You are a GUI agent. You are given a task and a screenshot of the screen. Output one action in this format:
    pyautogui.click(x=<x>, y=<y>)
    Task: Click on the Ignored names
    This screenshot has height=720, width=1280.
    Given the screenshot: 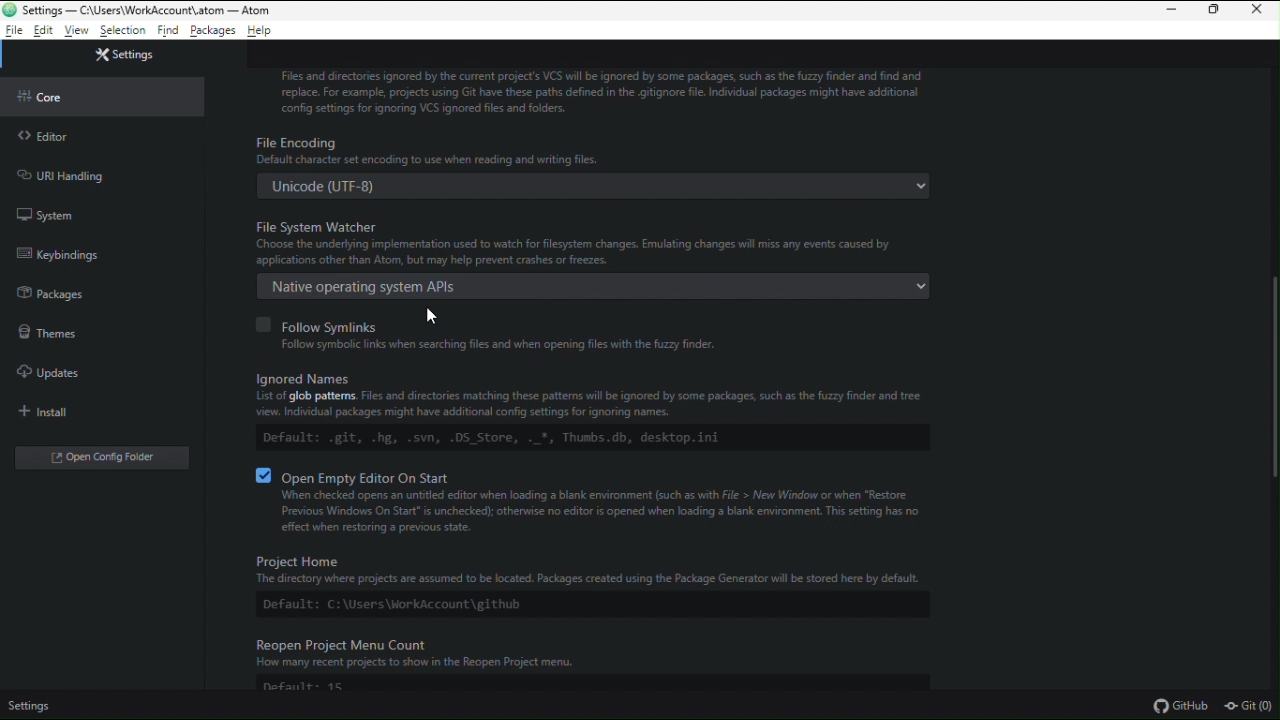 What is the action you would take?
    pyautogui.click(x=594, y=411)
    